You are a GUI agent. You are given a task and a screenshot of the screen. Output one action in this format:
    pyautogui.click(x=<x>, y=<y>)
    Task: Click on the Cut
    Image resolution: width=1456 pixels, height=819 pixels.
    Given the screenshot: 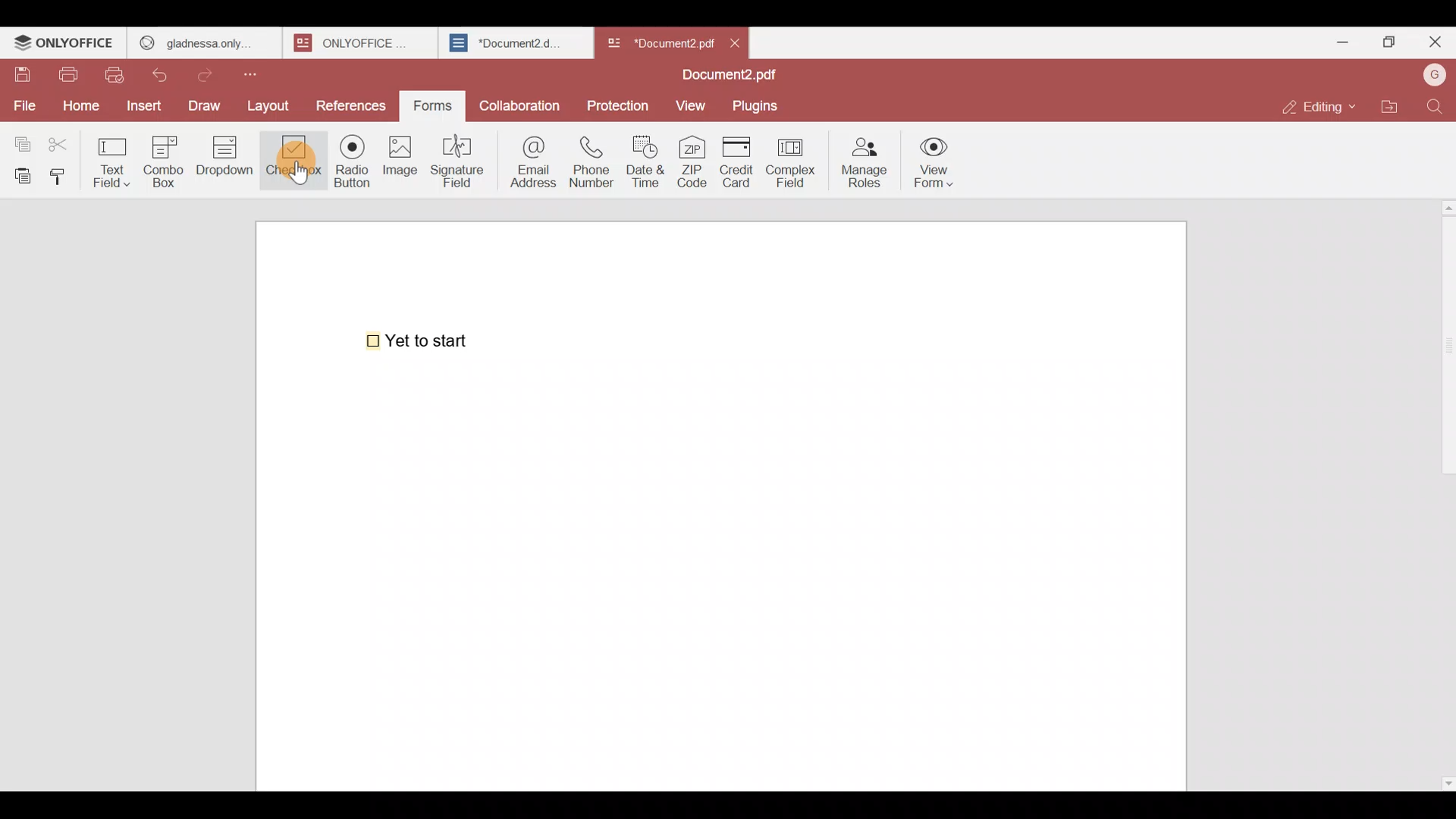 What is the action you would take?
    pyautogui.click(x=65, y=141)
    